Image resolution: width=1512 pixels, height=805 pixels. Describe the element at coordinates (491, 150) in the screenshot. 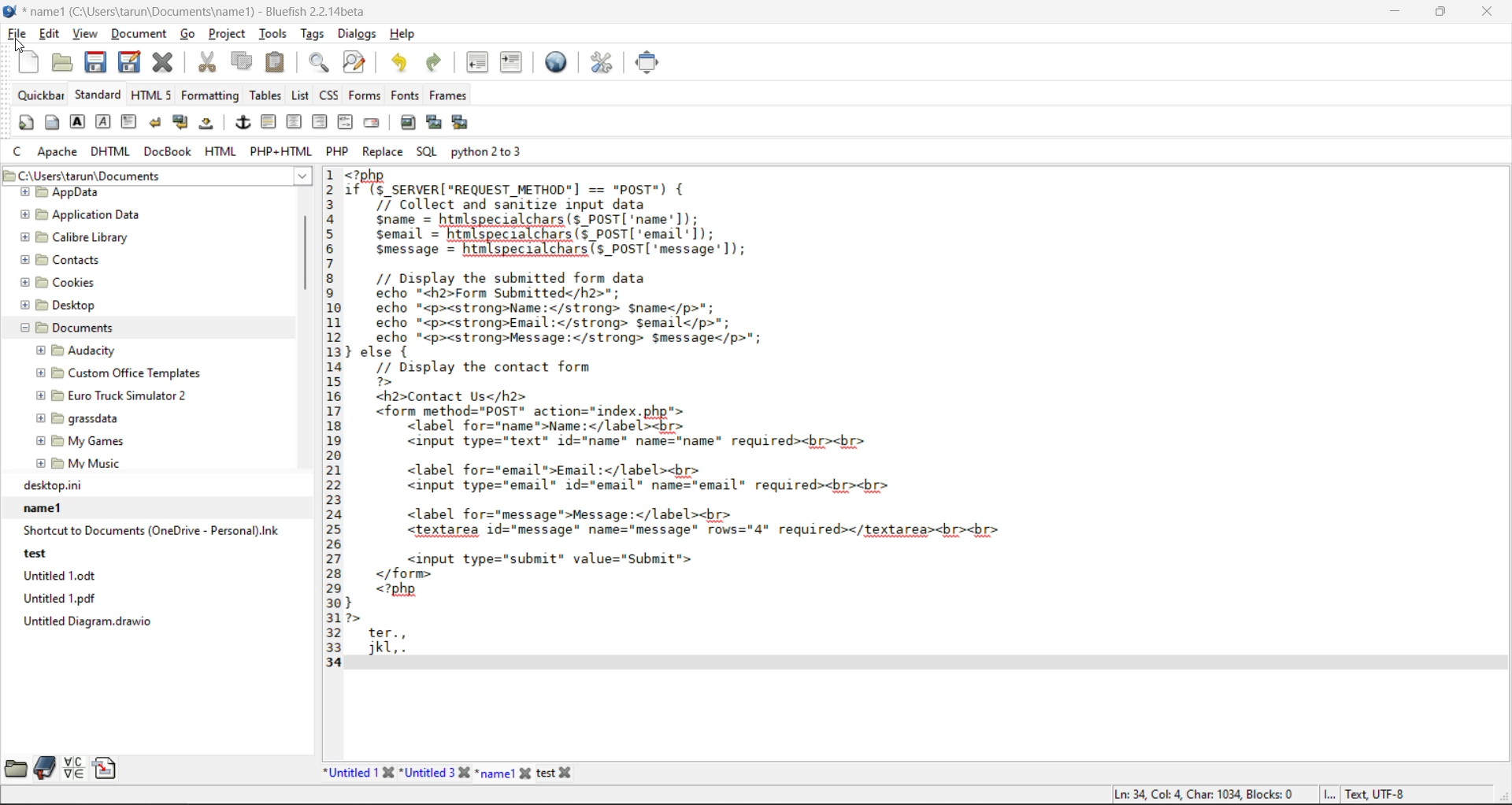

I see `python 2 to 3` at that location.